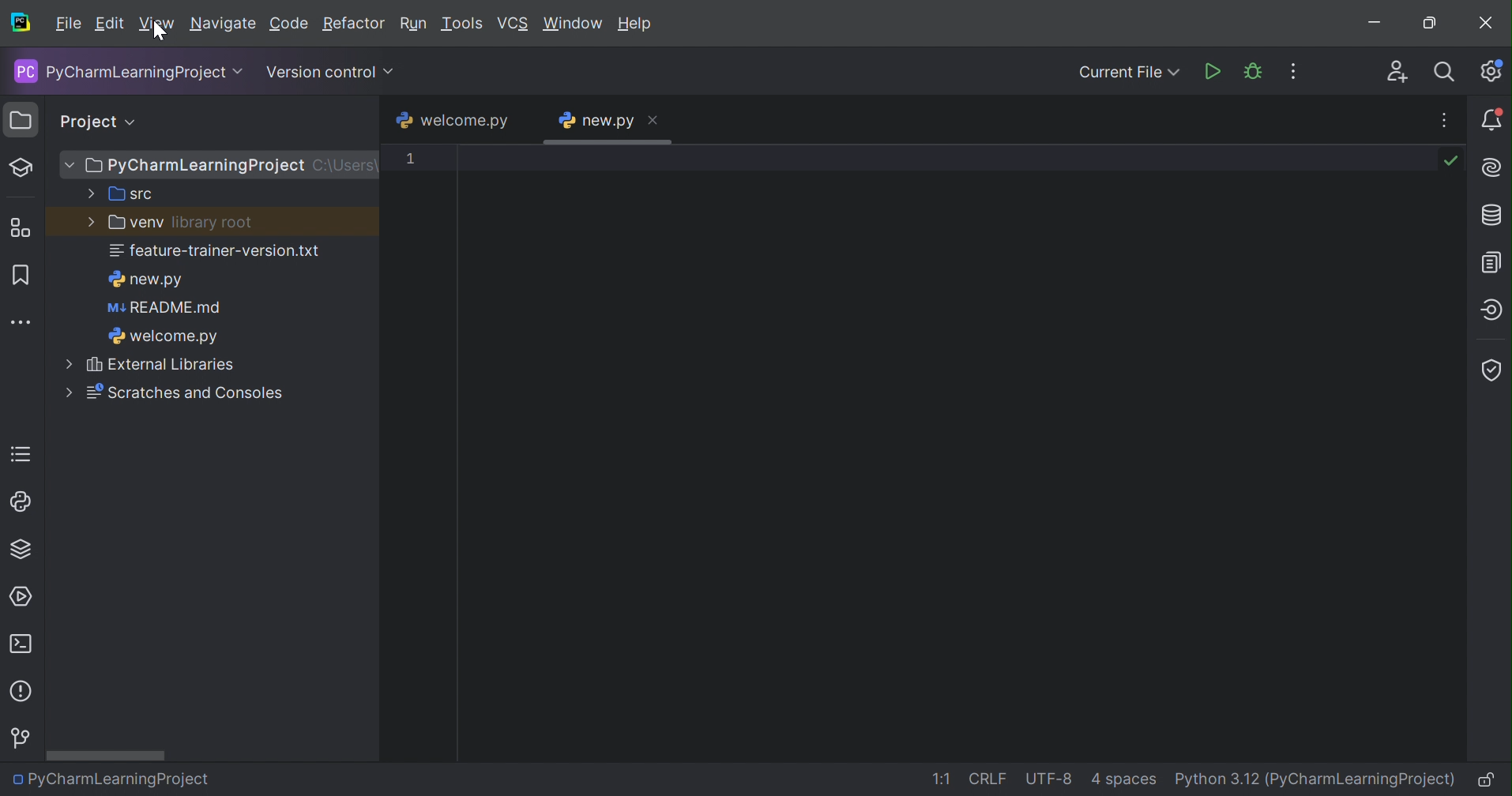 The image size is (1512, 796). Describe the element at coordinates (149, 365) in the screenshot. I see `External Libraries` at that location.